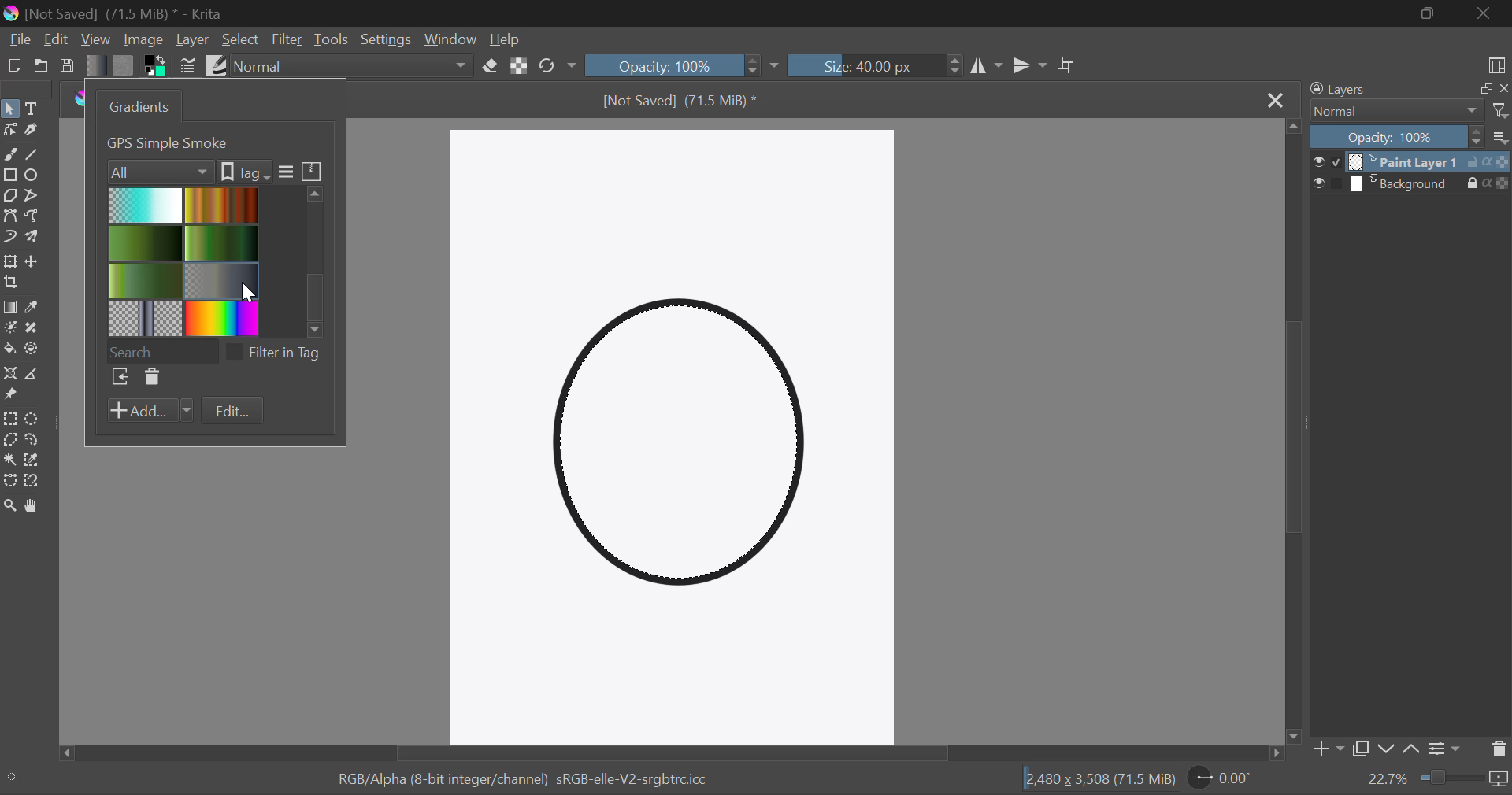 This screenshot has height=795, width=1512. I want to click on Rotate Page , so click(1220, 778).